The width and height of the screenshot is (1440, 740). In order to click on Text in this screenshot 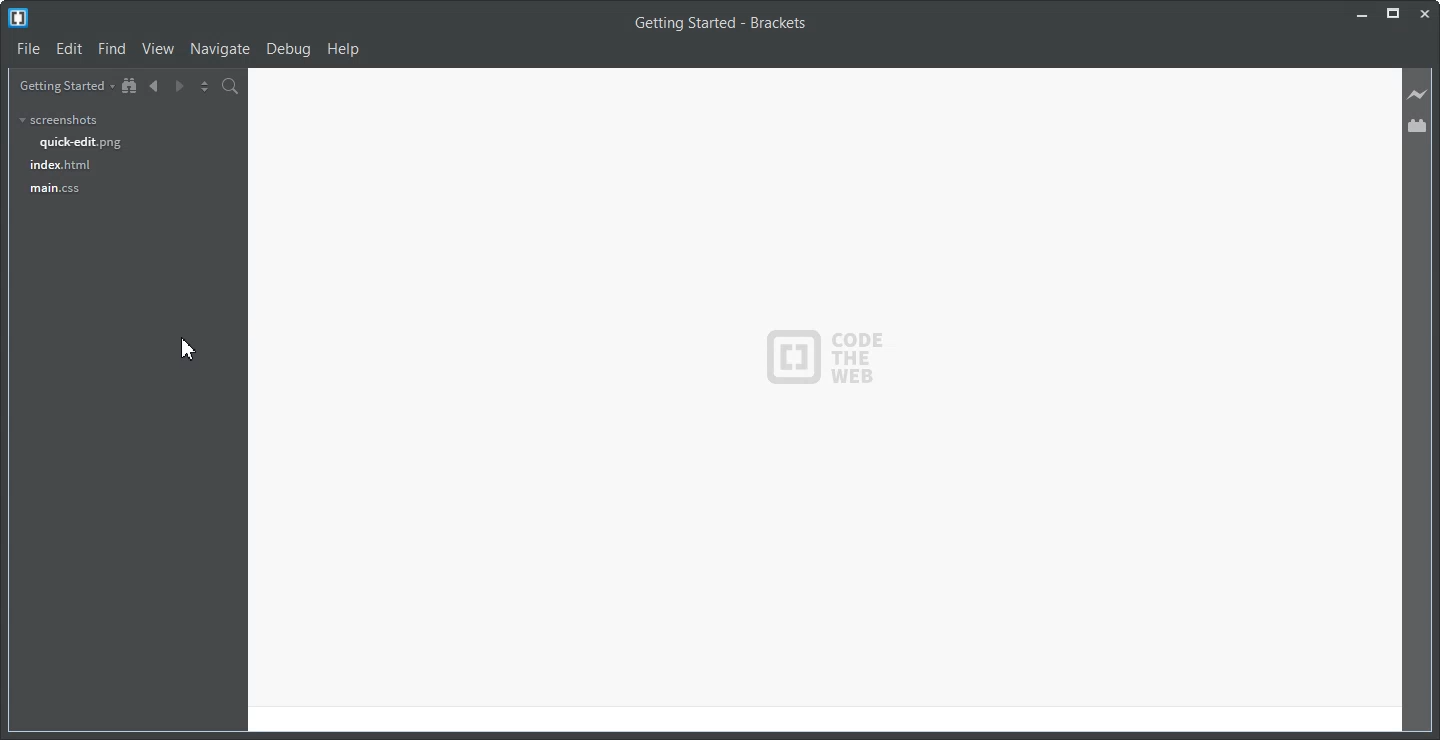, I will do `click(722, 22)`.